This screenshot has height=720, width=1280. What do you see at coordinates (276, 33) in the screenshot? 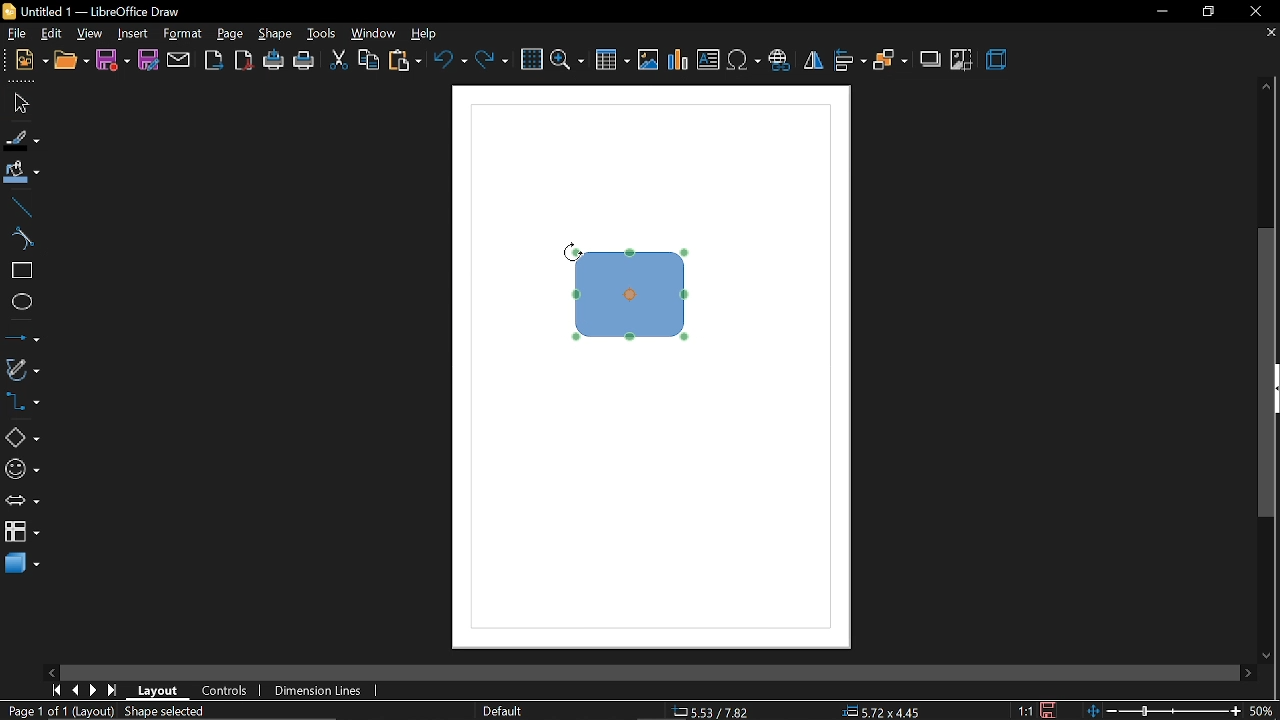
I see `shape` at bounding box center [276, 33].